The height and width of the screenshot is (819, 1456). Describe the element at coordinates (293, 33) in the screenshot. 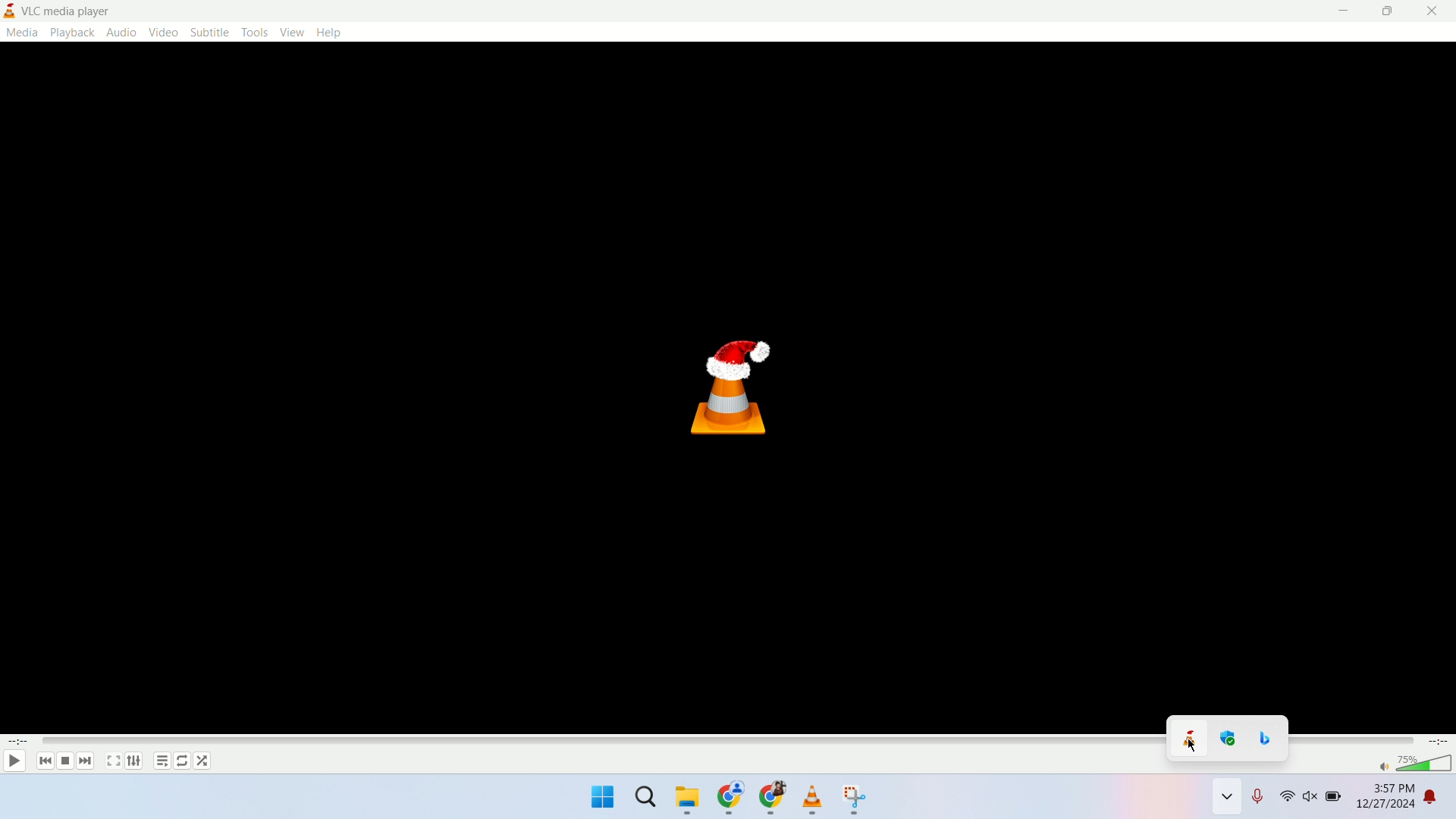

I see `view` at that location.